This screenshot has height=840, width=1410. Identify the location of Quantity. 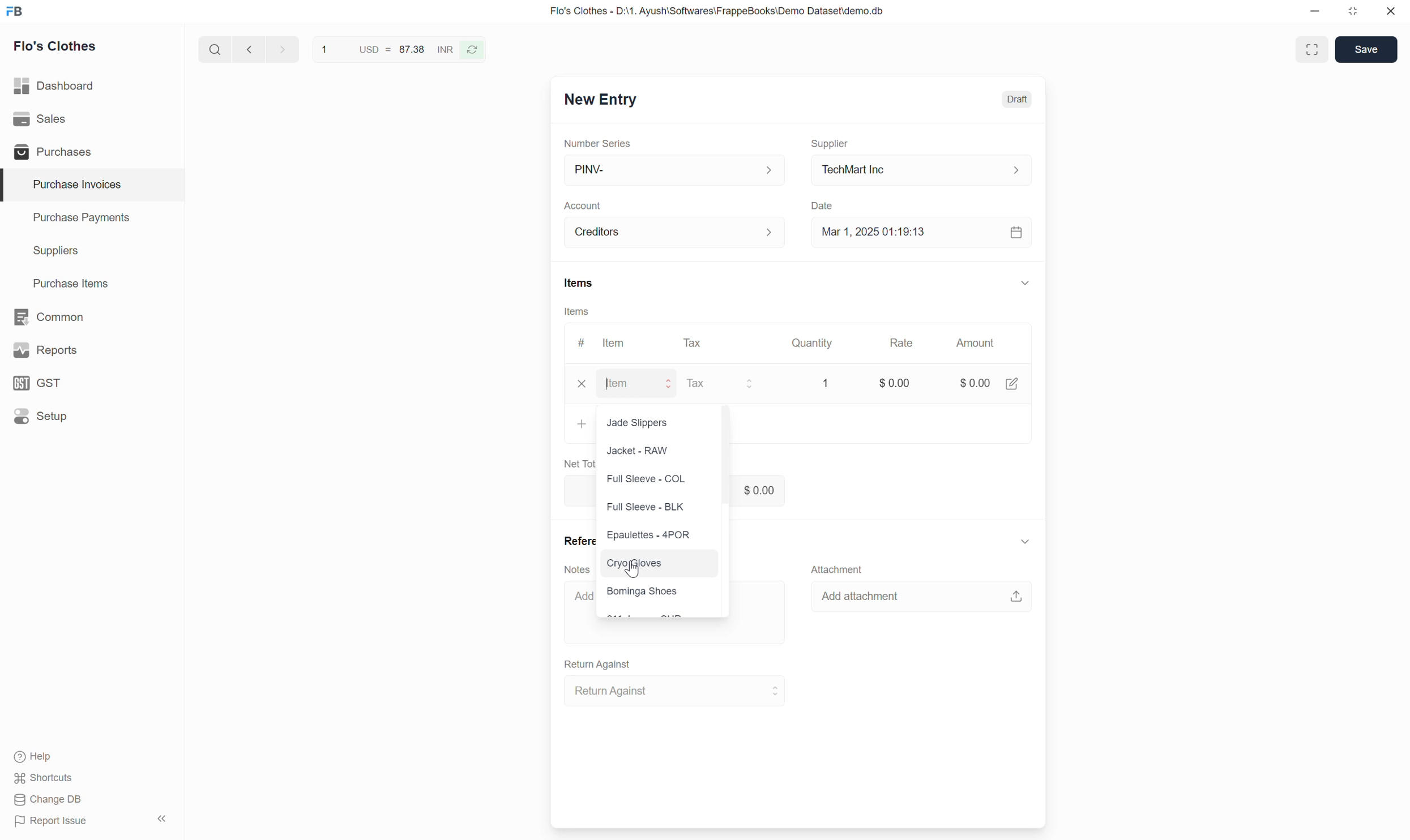
(815, 343).